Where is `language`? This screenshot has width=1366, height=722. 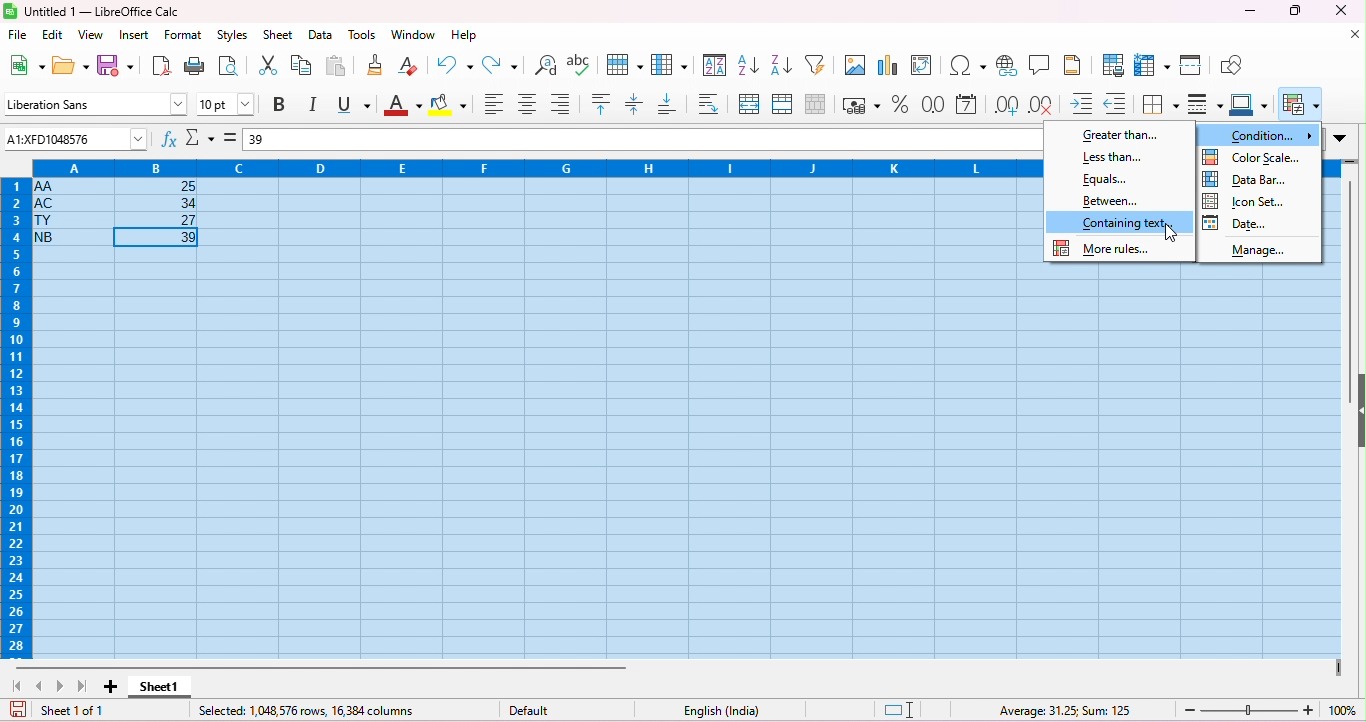
language is located at coordinates (715, 708).